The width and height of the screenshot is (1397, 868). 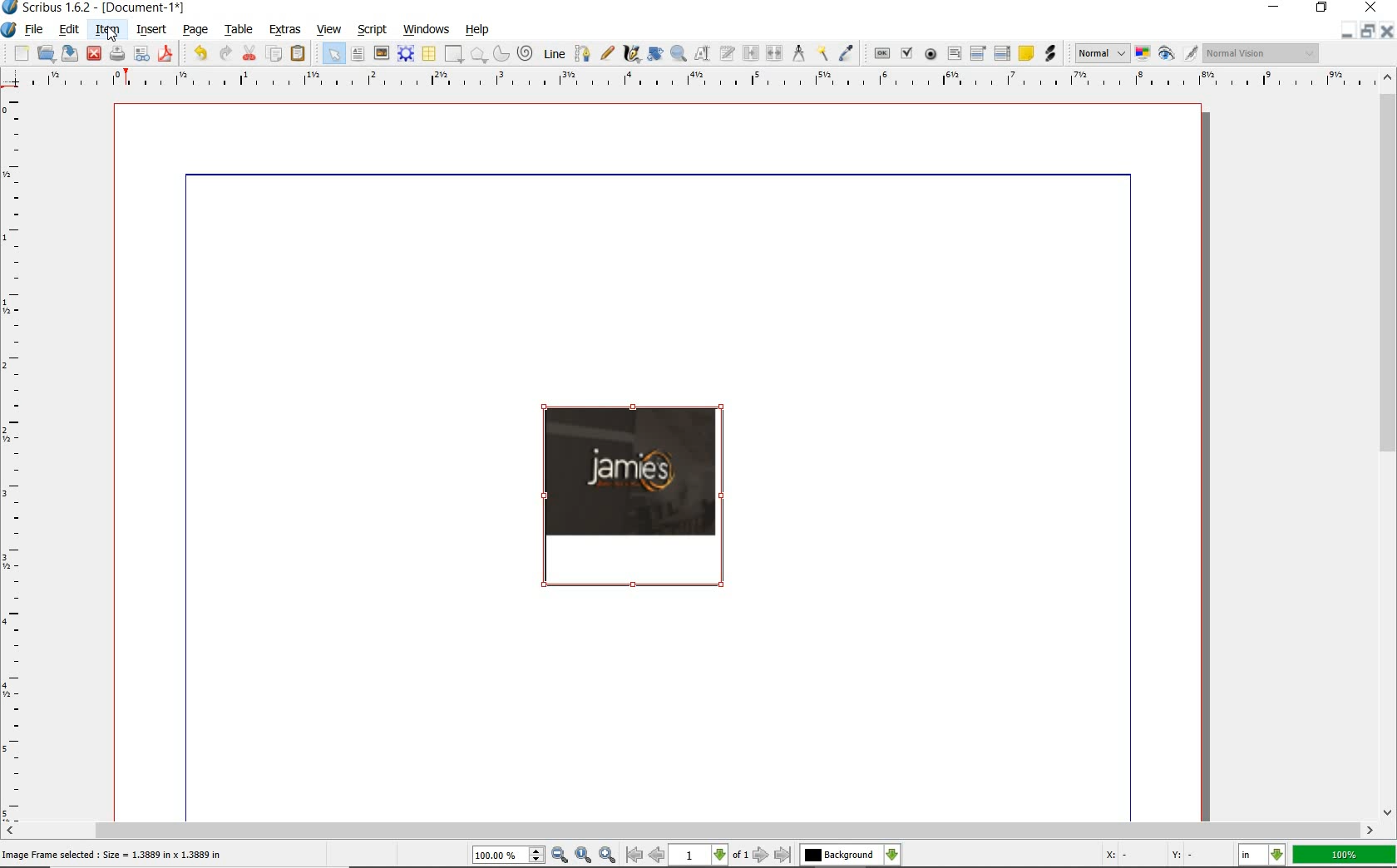 I want to click on shape, so click(x=455, y=52).